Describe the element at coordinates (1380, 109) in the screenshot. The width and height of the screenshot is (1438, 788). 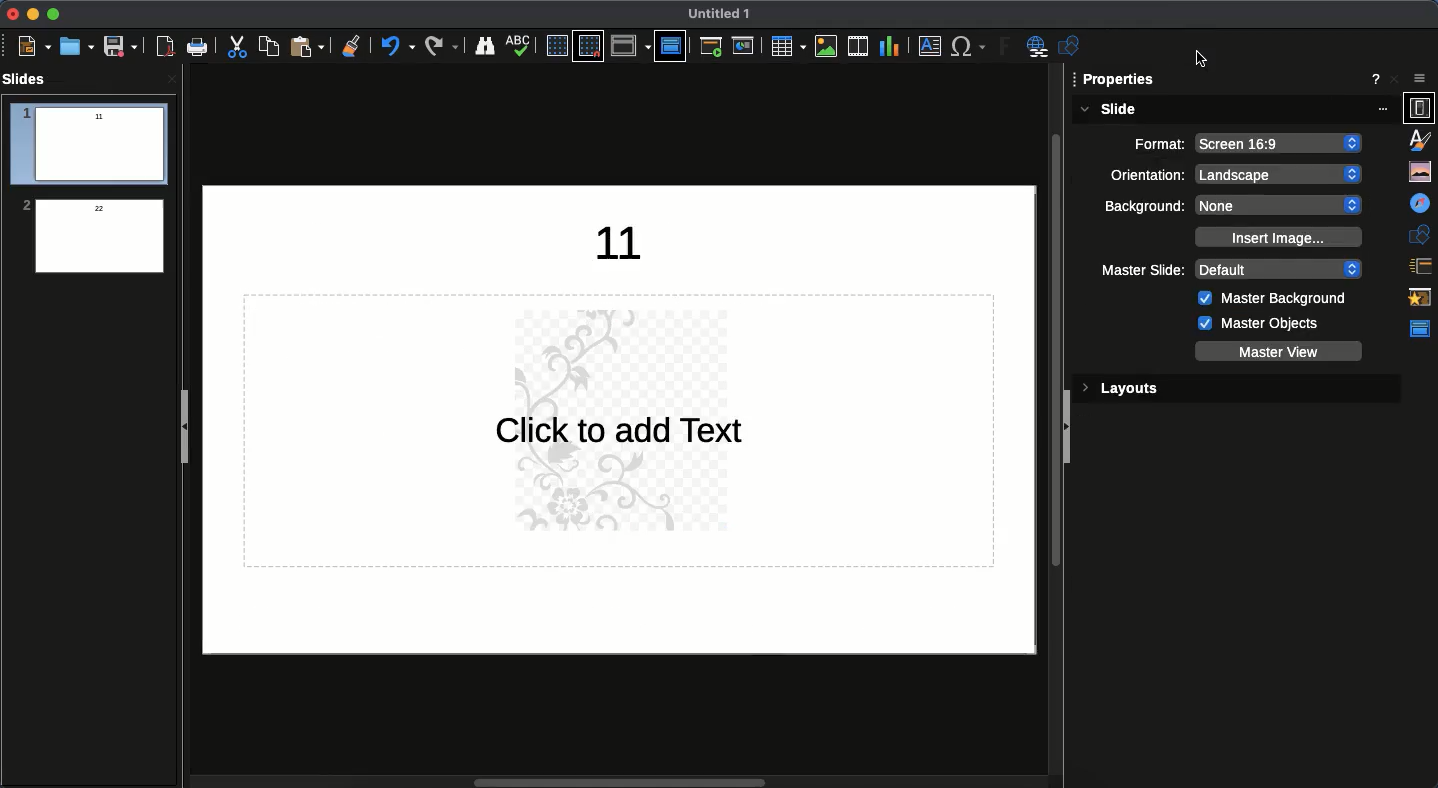
I see `options` at that location.